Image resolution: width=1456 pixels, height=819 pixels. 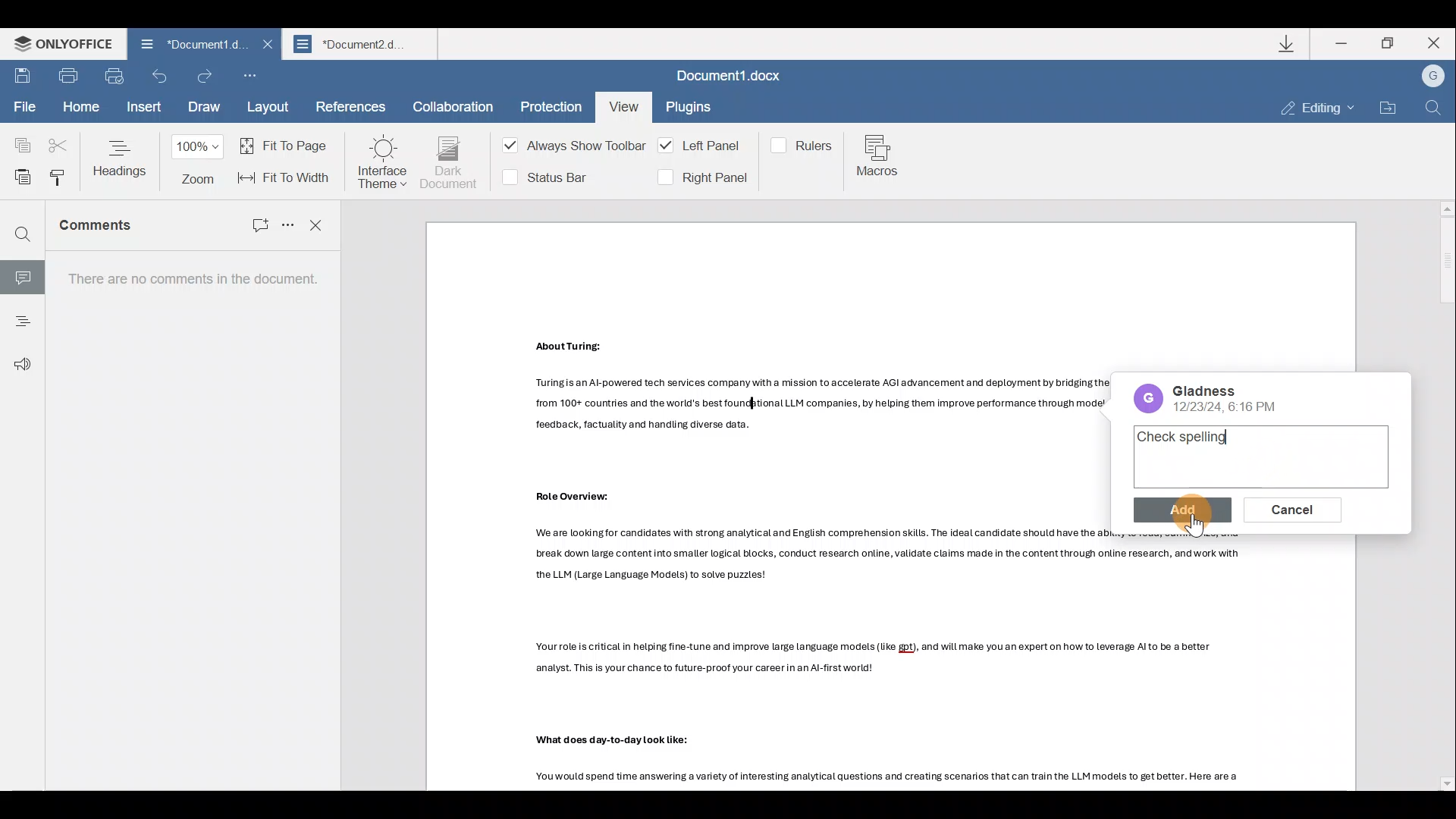 What do you see at coordinates (59, 140) in the screenshot?
I see `Cut` at bounding box center [59, 140].